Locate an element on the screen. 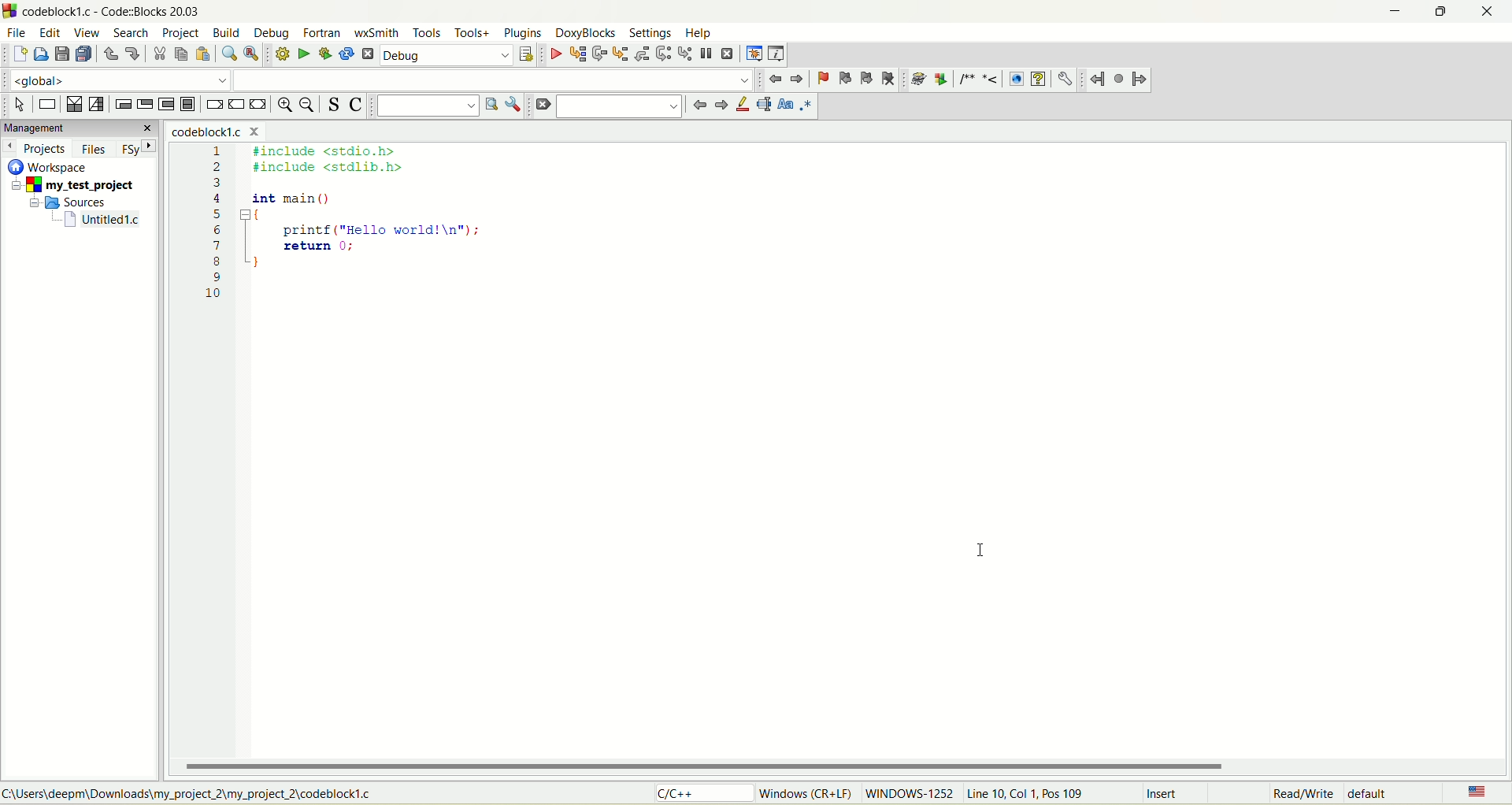  step into instruction is located at coordinates (683, 52).